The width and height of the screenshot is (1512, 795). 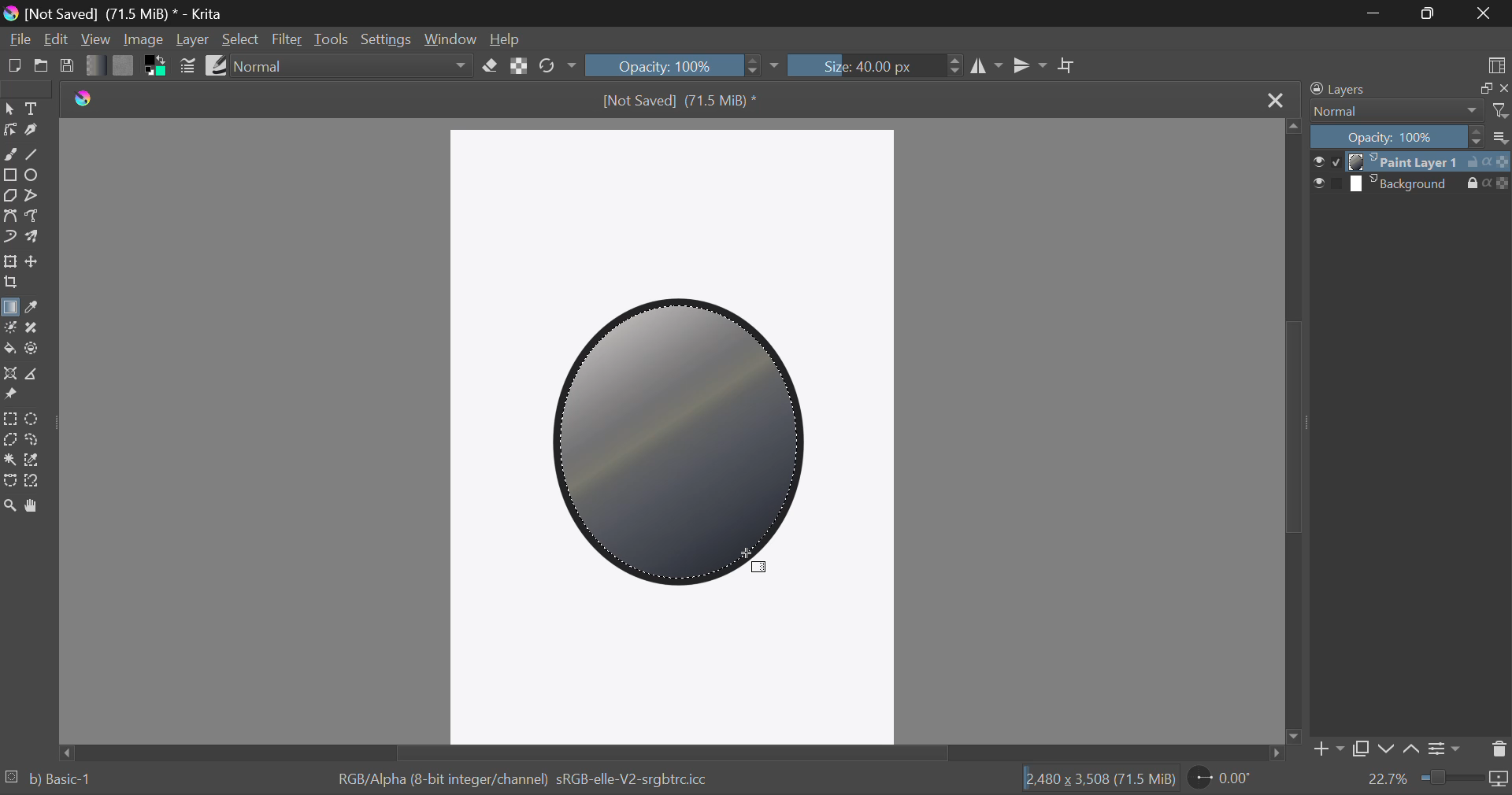 What do you see at coordinates (34, 238) in the screenshot?
I see `Multibrush` at bounding box center [34, 238].